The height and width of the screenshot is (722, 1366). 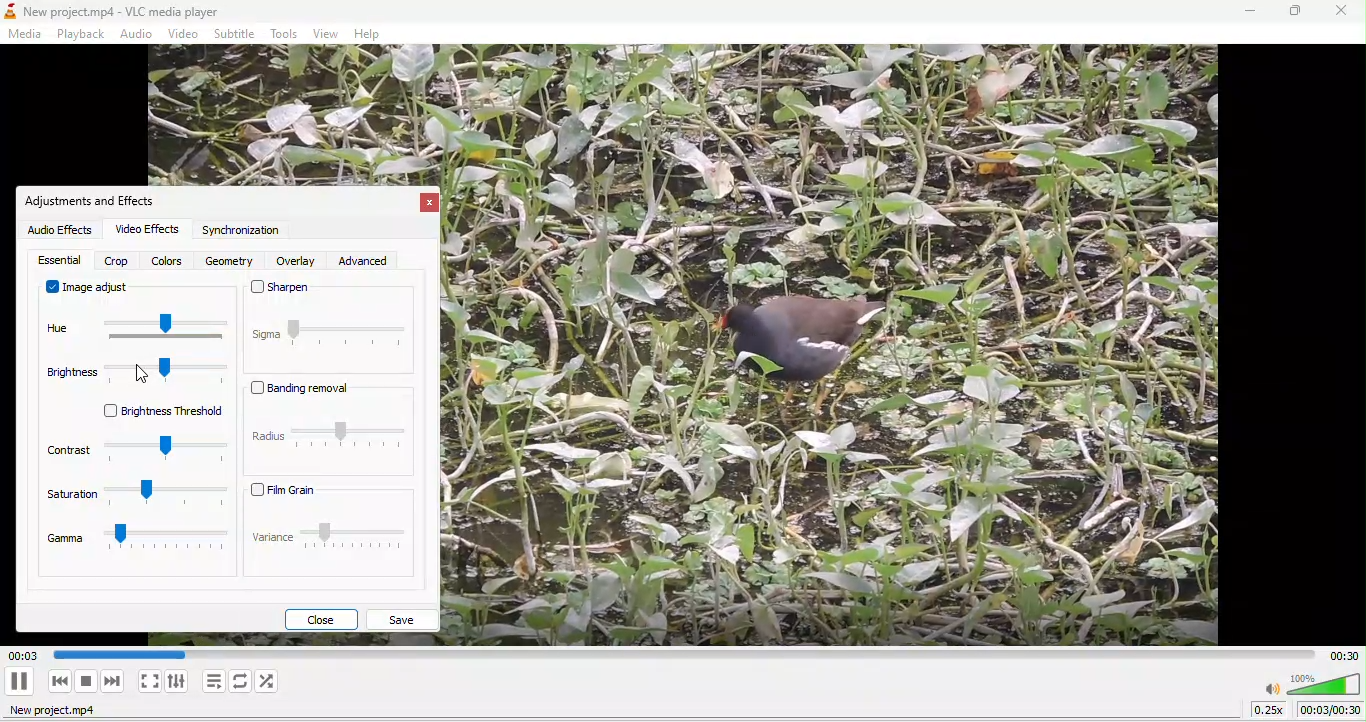 What do you see at coordinates (95, 201) in the screenshot?
I see `adjustments and effects` at bounding box center [95, 201].